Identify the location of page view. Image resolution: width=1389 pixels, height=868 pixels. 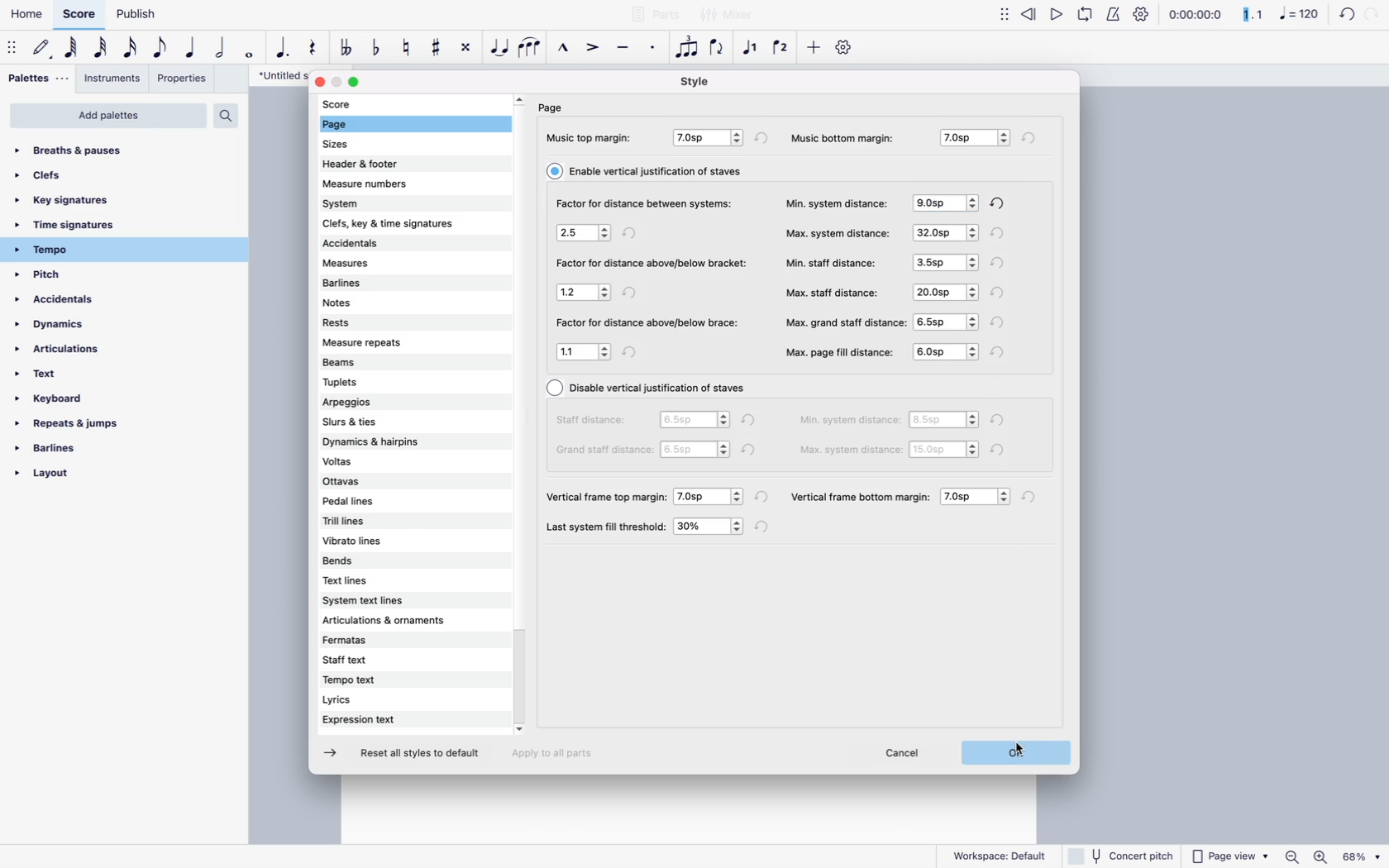
(1229, 856).